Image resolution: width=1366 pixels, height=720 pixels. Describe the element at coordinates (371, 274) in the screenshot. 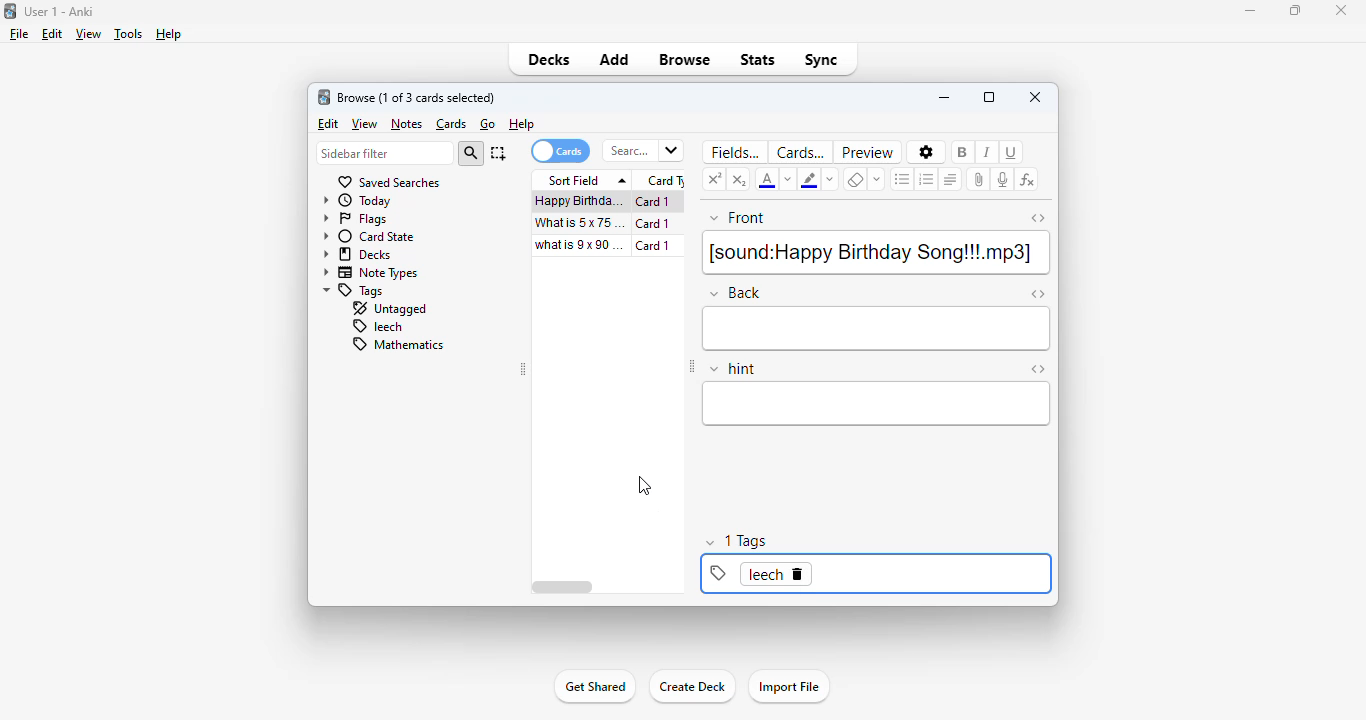

I see `note types` at that location.